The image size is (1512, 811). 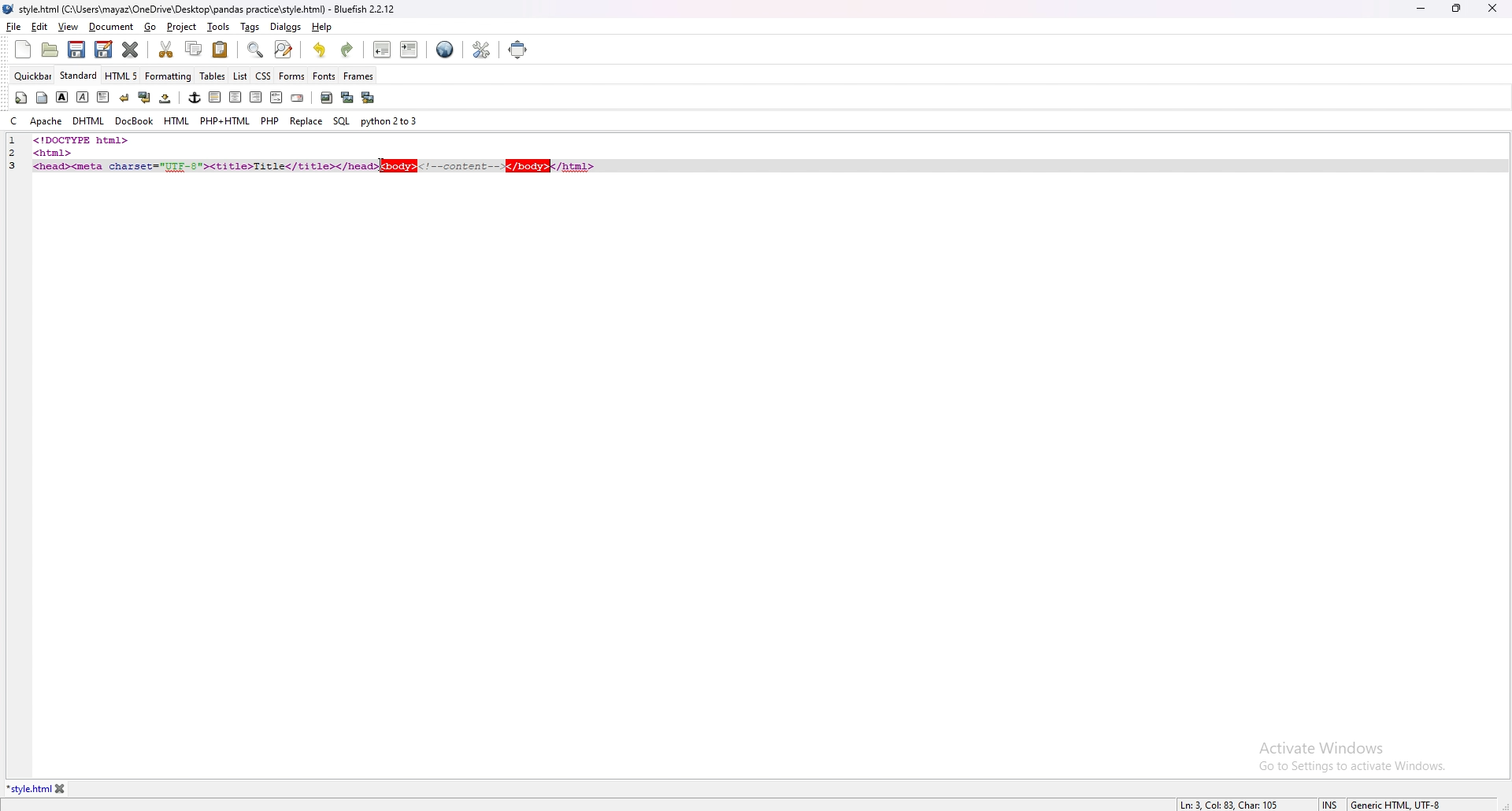 What do you see at coordinates (183, 27) in the screenshot?
I see `project` at bounding box center [183, 27].